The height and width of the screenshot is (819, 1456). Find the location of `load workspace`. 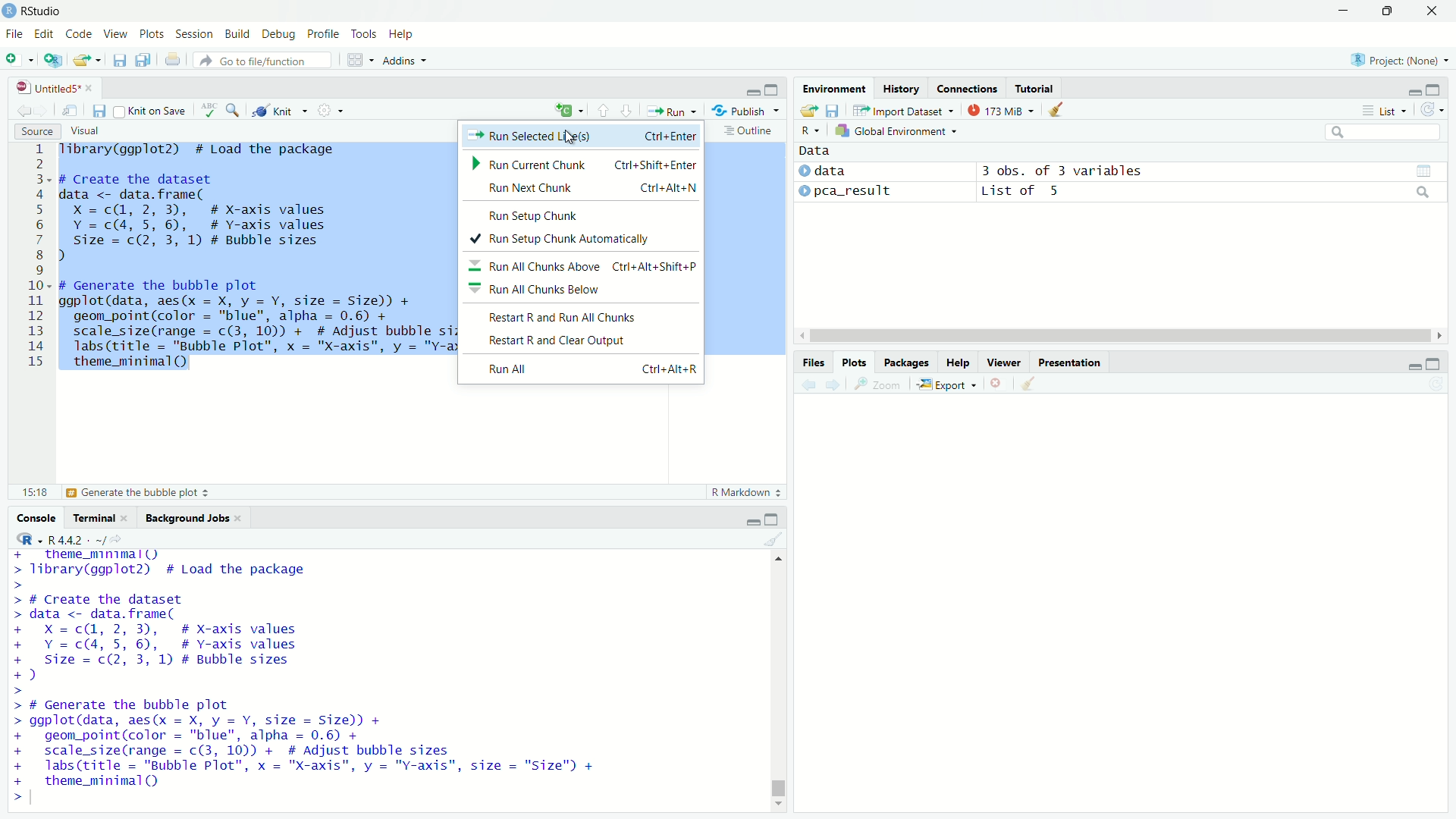

load workspace is located at coordinates (808, 111).